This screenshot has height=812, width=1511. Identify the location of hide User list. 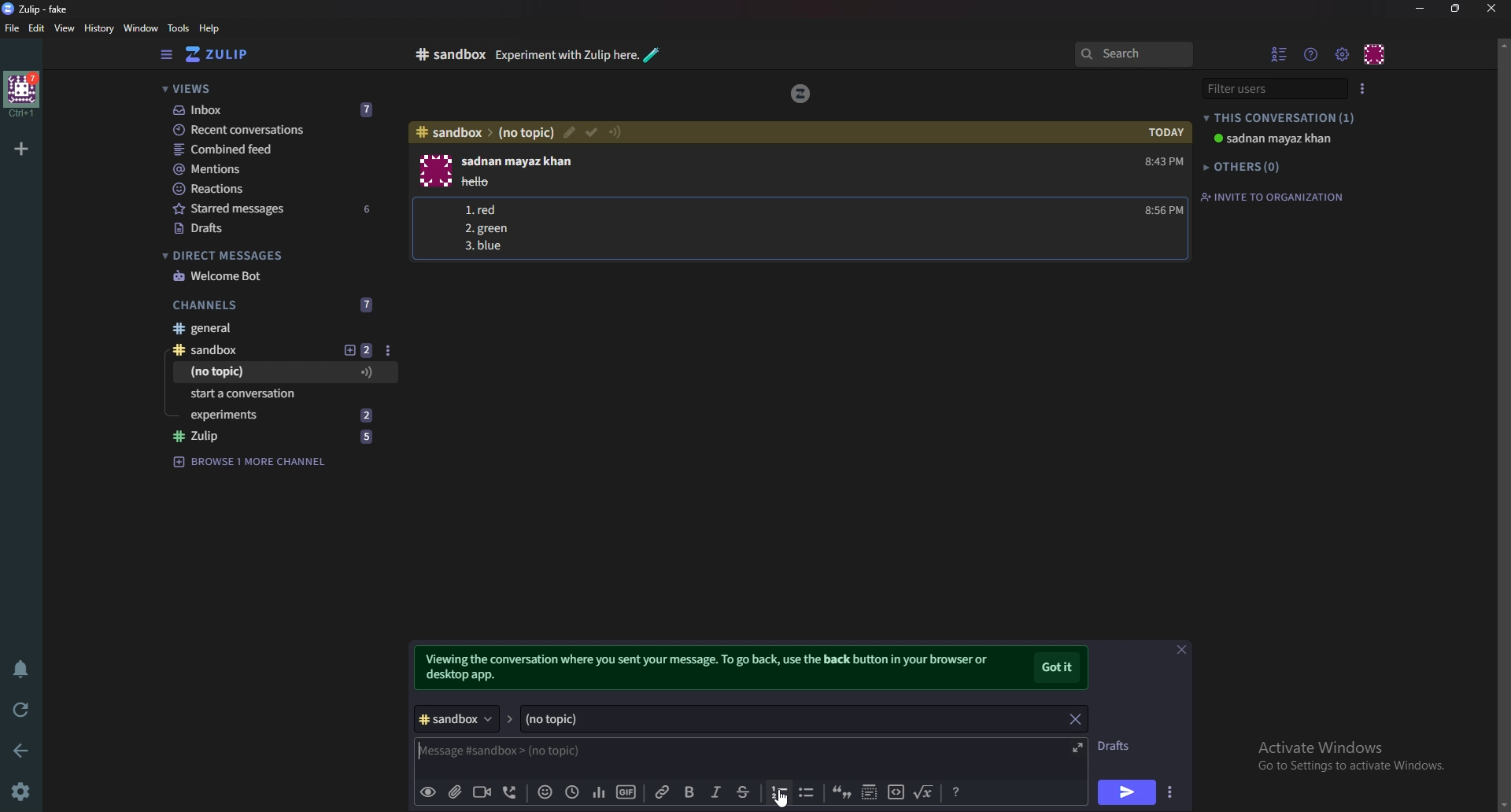
(1280, 54).